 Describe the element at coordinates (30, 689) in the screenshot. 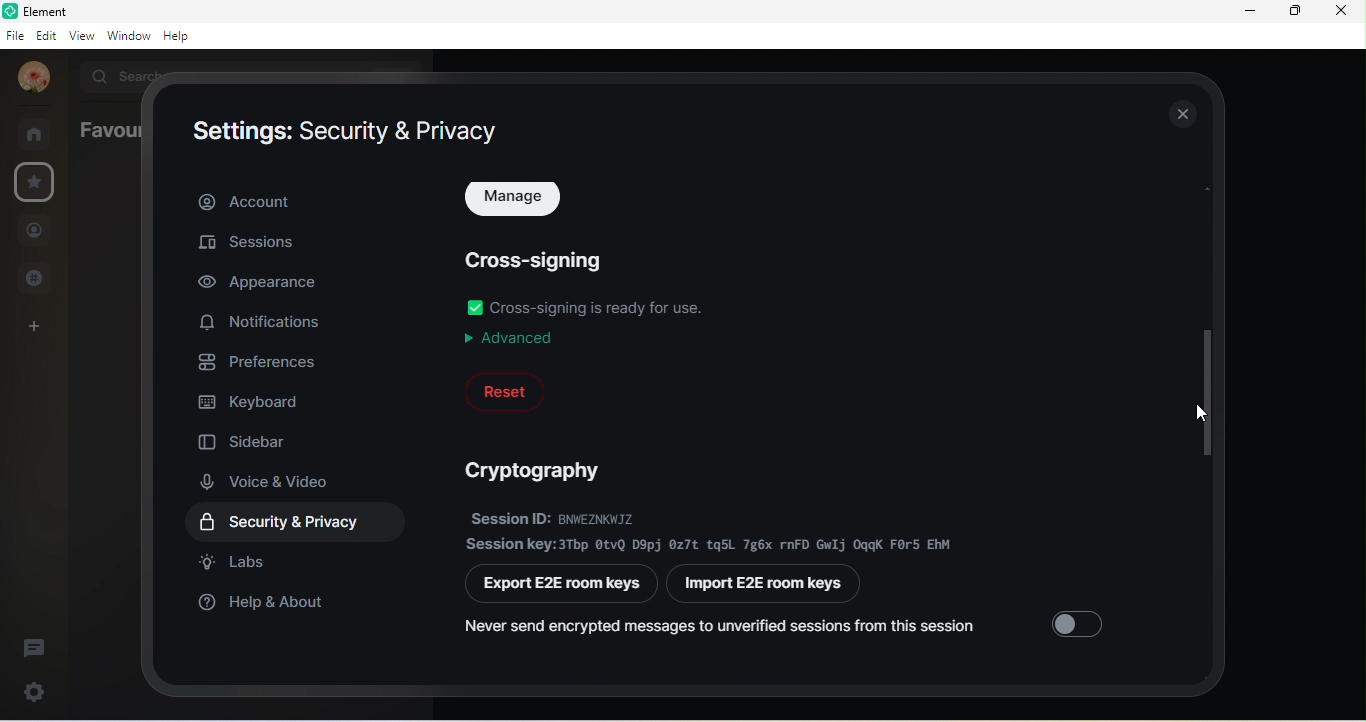

I see `quick settings` at that location.